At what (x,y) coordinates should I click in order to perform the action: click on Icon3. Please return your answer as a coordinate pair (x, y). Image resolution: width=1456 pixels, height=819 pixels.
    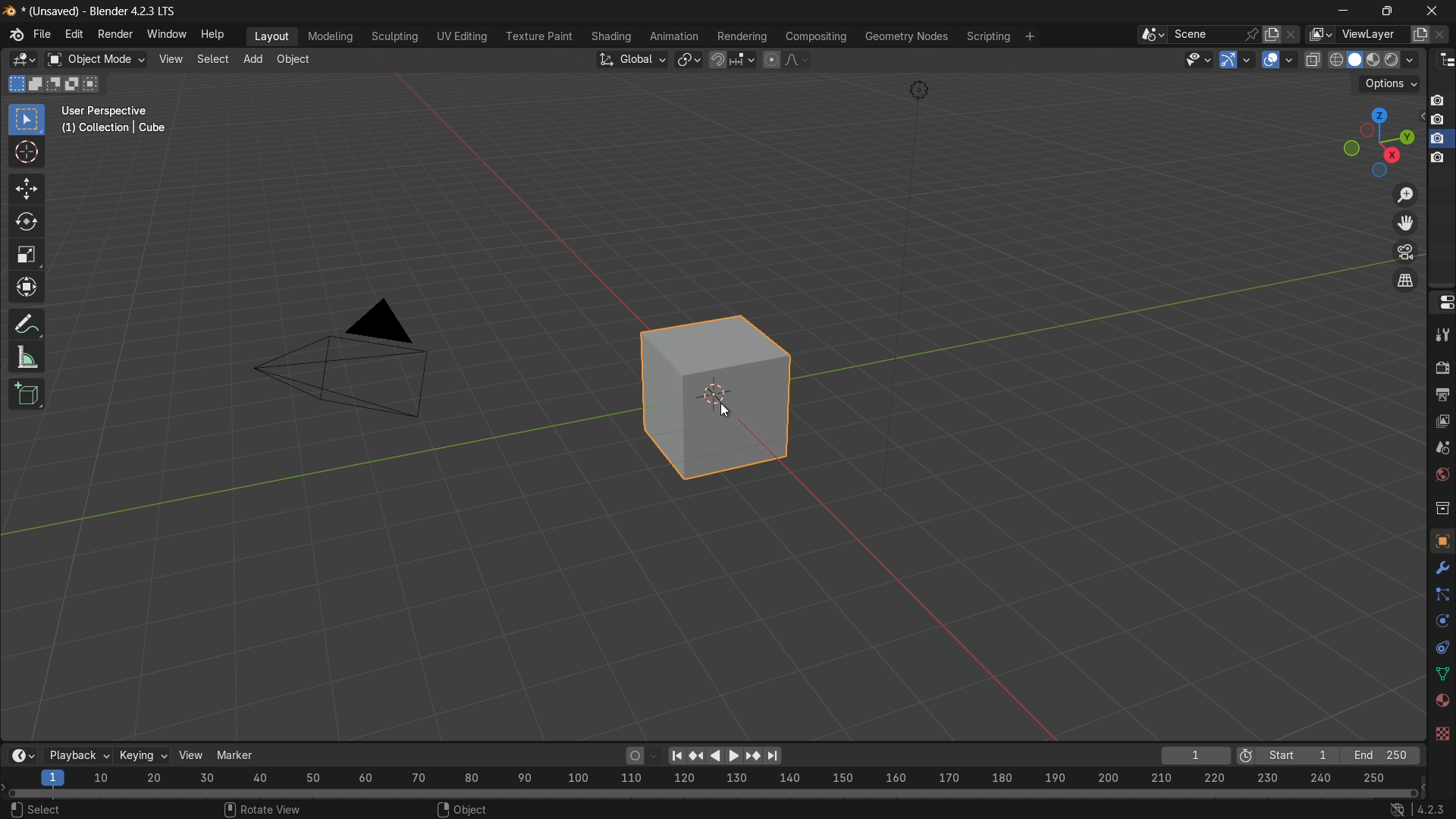
    Looking at the image, I should click on (1441, 140).